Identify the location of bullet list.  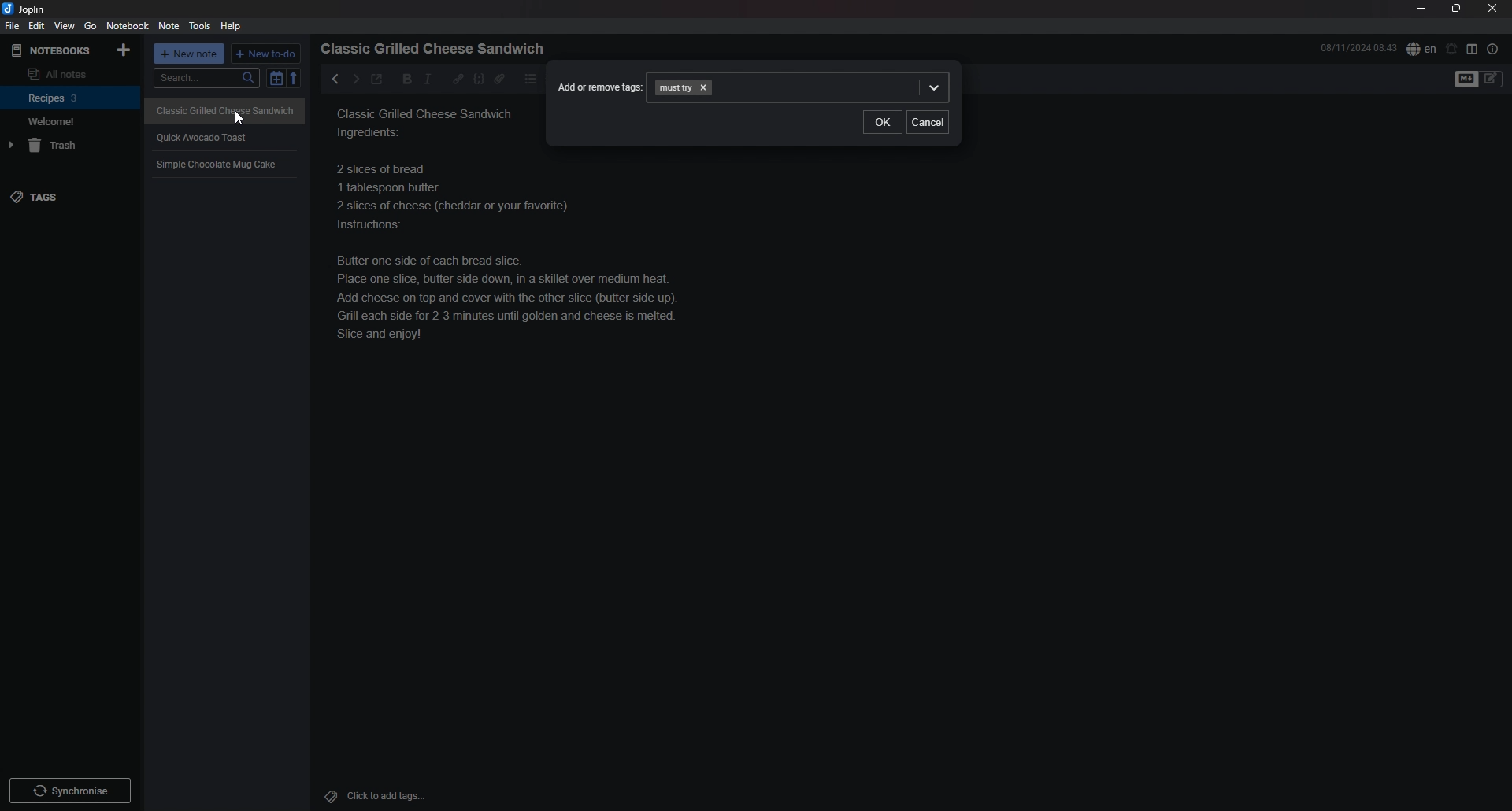
(531, 79).